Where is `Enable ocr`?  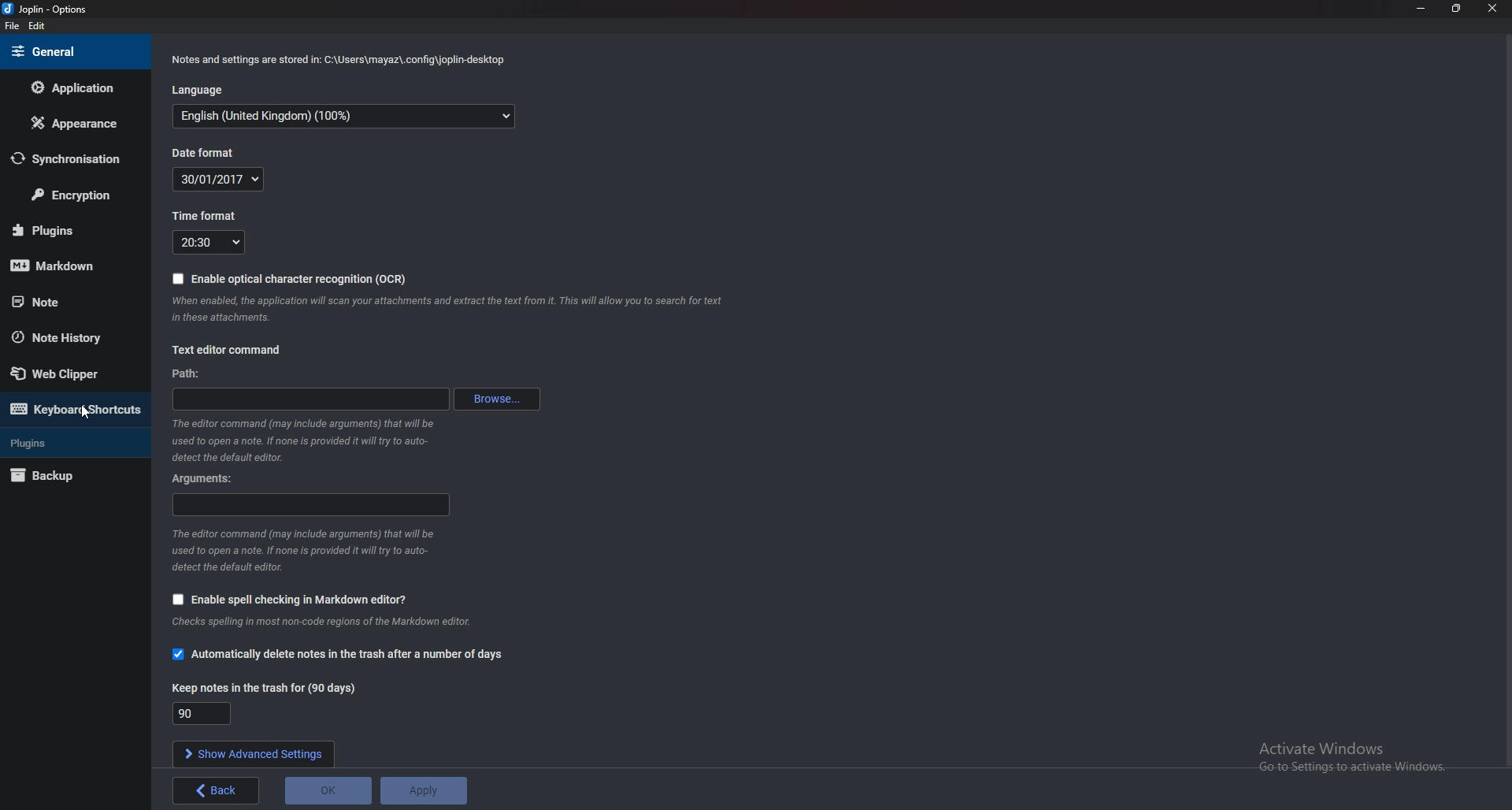 Enable ocr is located at coordinates (295, 277).